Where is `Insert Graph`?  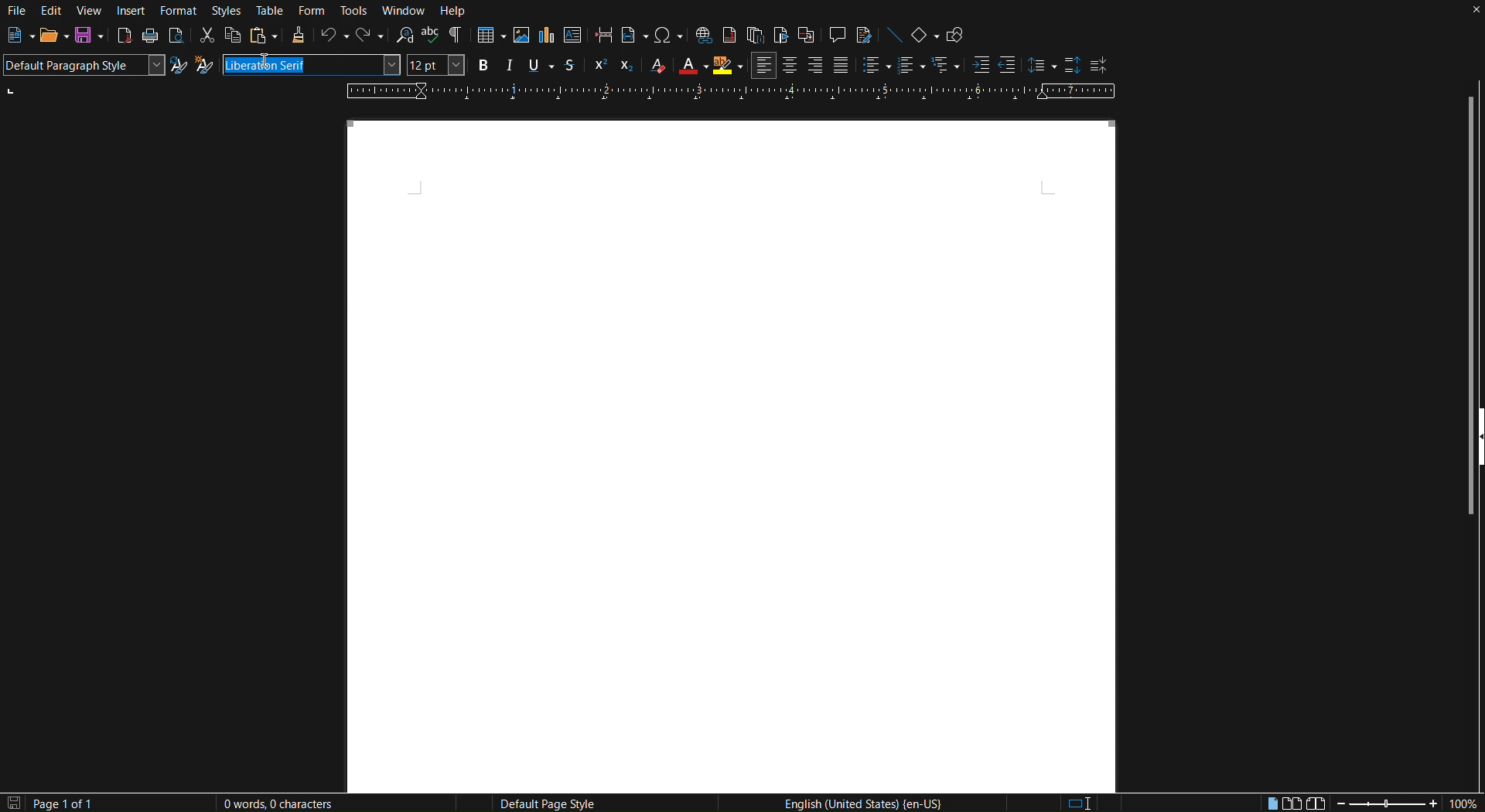 Insert Graph is located at coordinates (547, 35).